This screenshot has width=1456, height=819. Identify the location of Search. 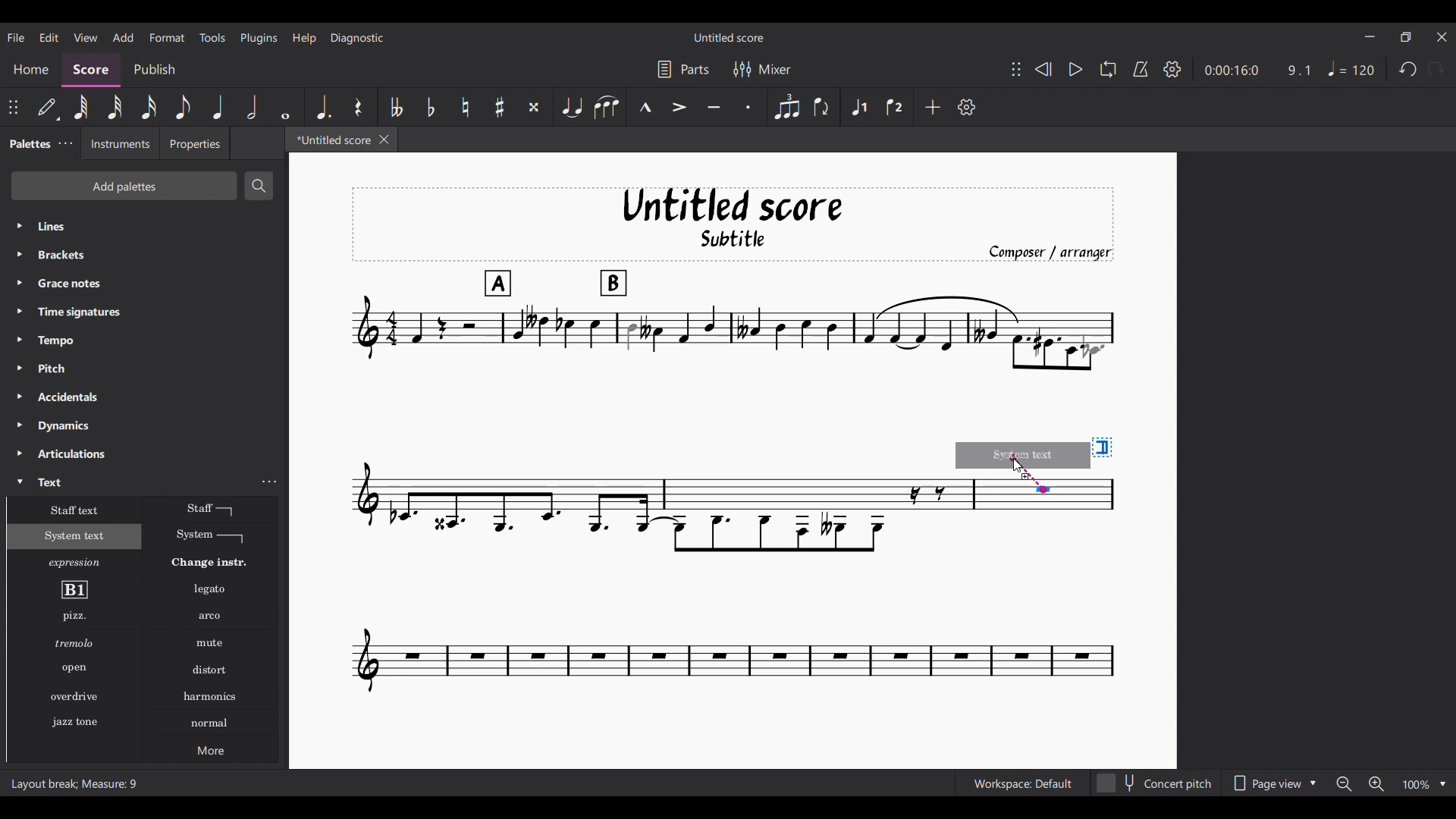
(257, 186).